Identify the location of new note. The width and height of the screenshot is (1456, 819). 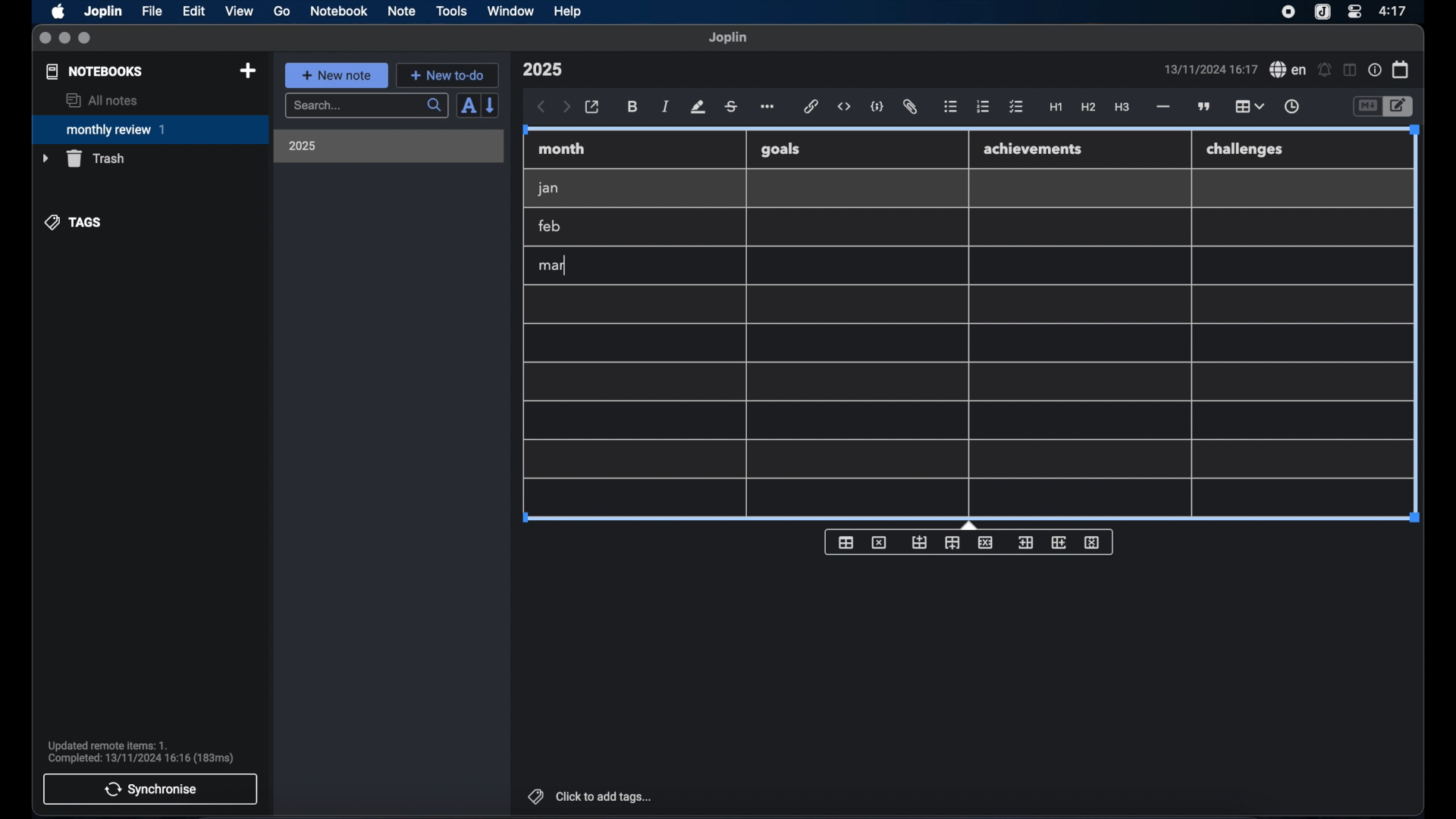
(336, 75).